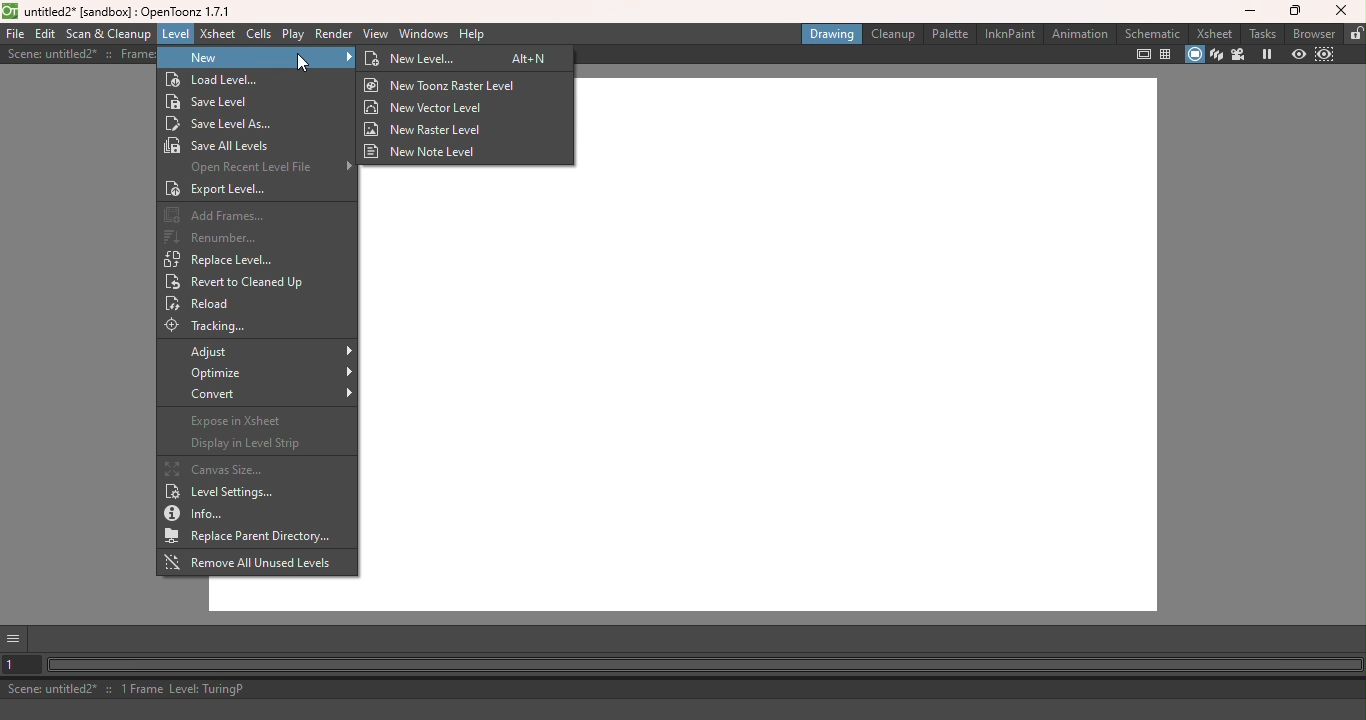 This screenshot has height=720, width=1366. I want to click on Maximize, so click(1291, 12).